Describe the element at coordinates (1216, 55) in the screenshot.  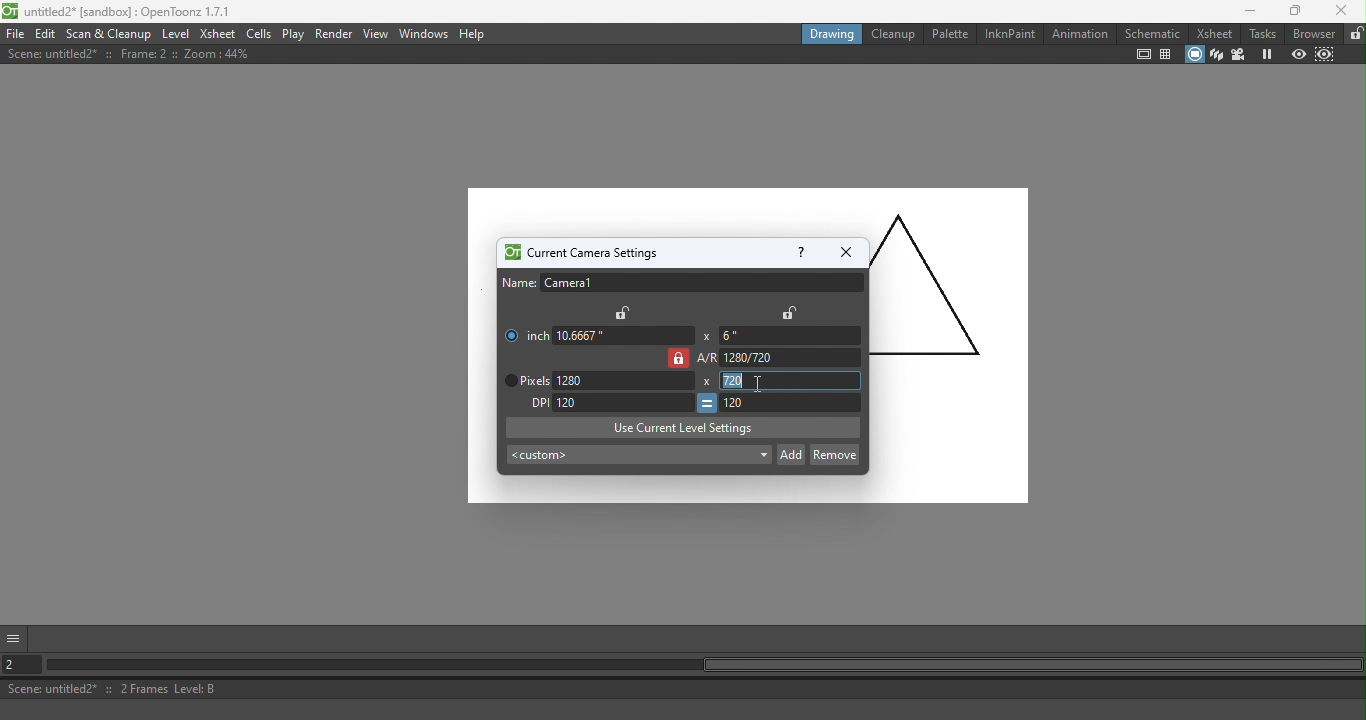
I see `3D view` at that location.